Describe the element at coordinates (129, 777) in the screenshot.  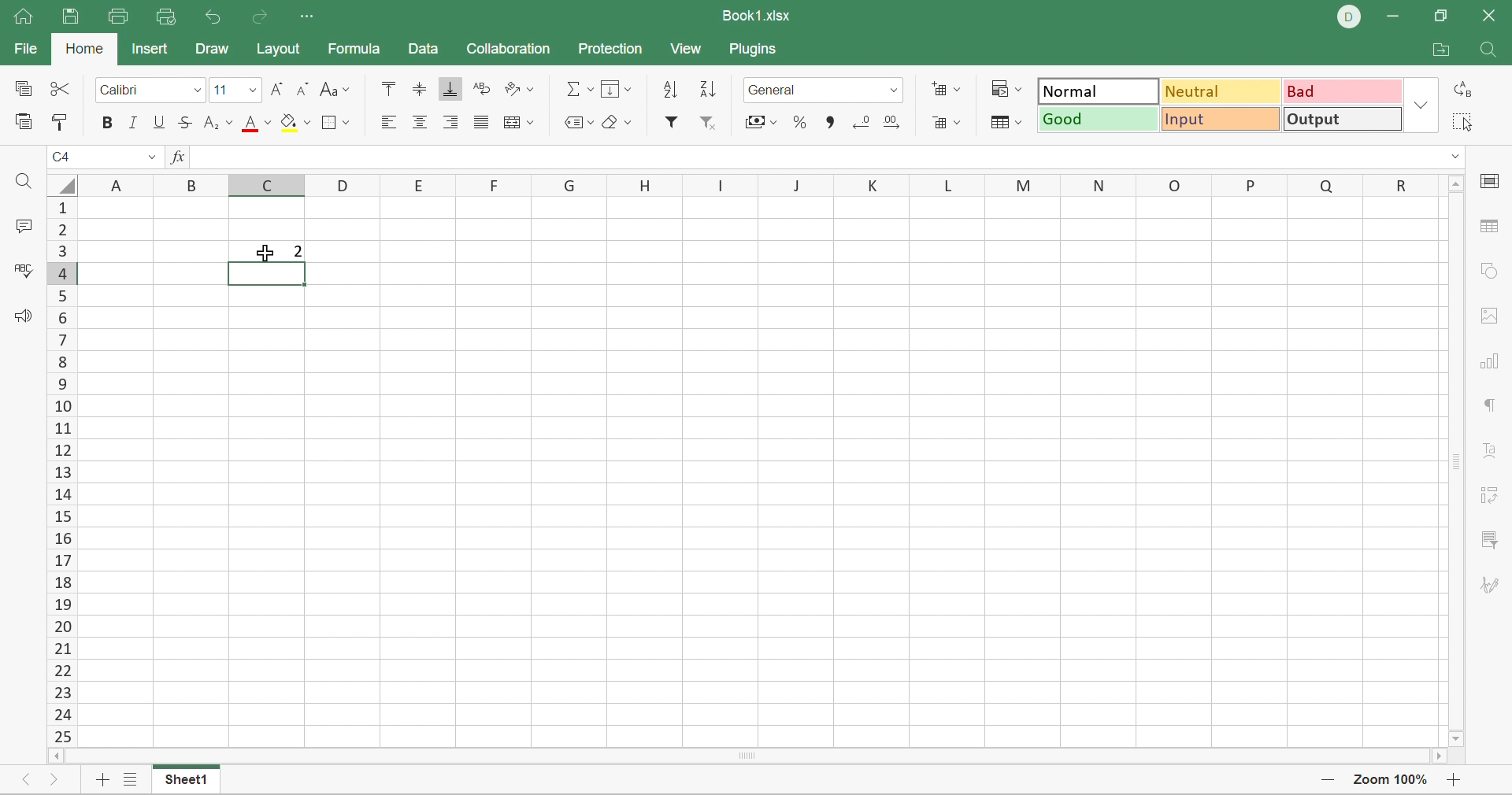
I see `List of sheets` at that location.